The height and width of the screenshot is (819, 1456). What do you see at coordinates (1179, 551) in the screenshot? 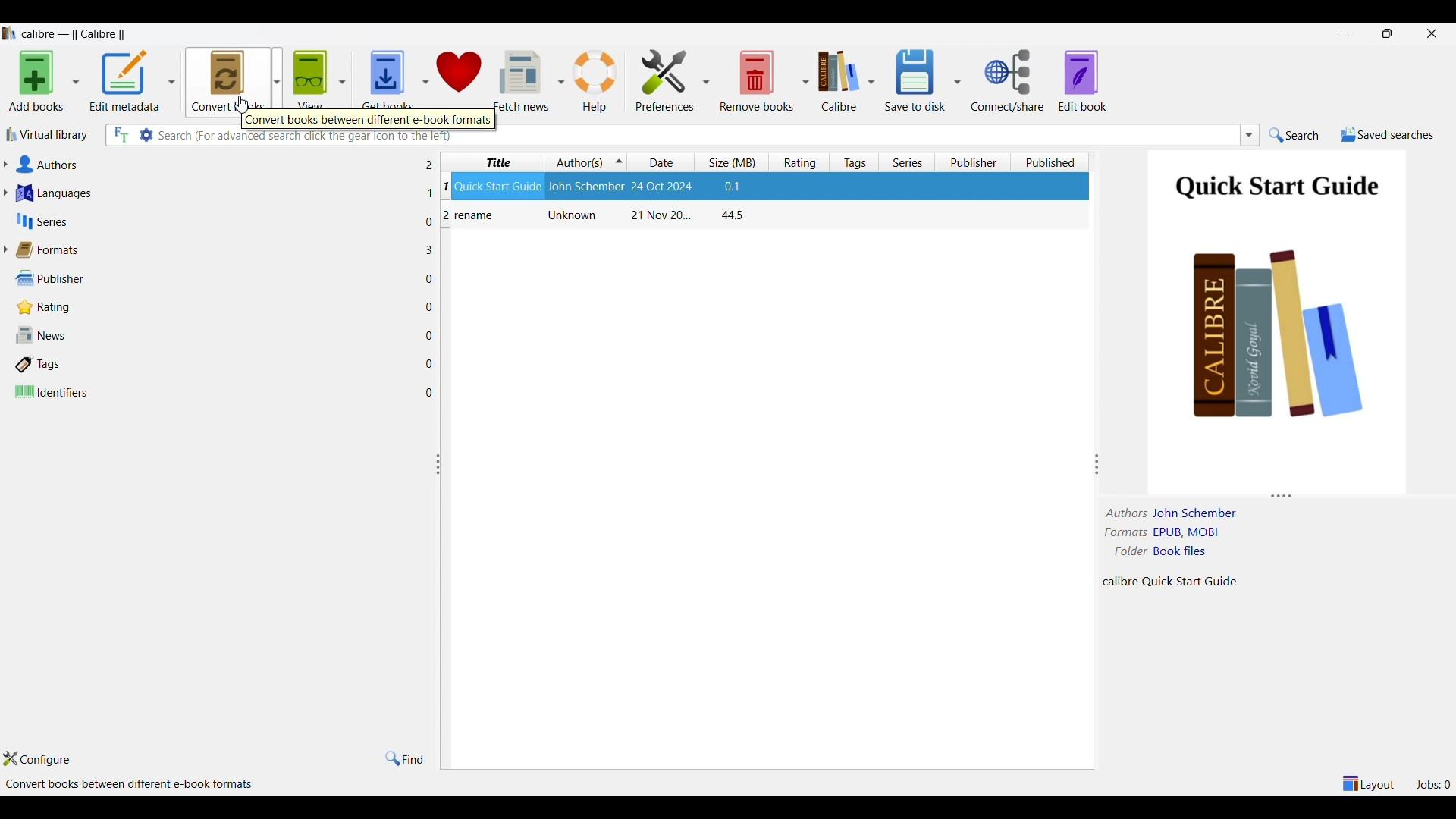
I see `book files` at bounding box center [1179, 551].